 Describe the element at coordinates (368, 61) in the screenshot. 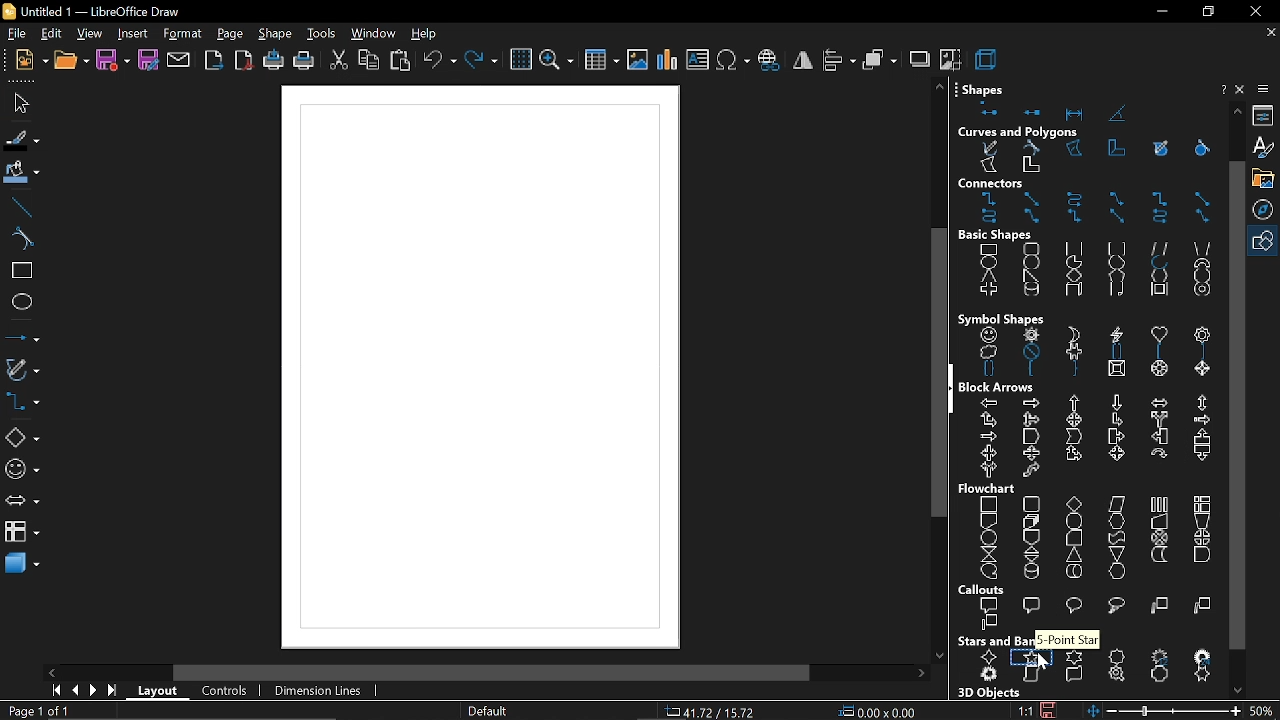

I see `copy` at that location.